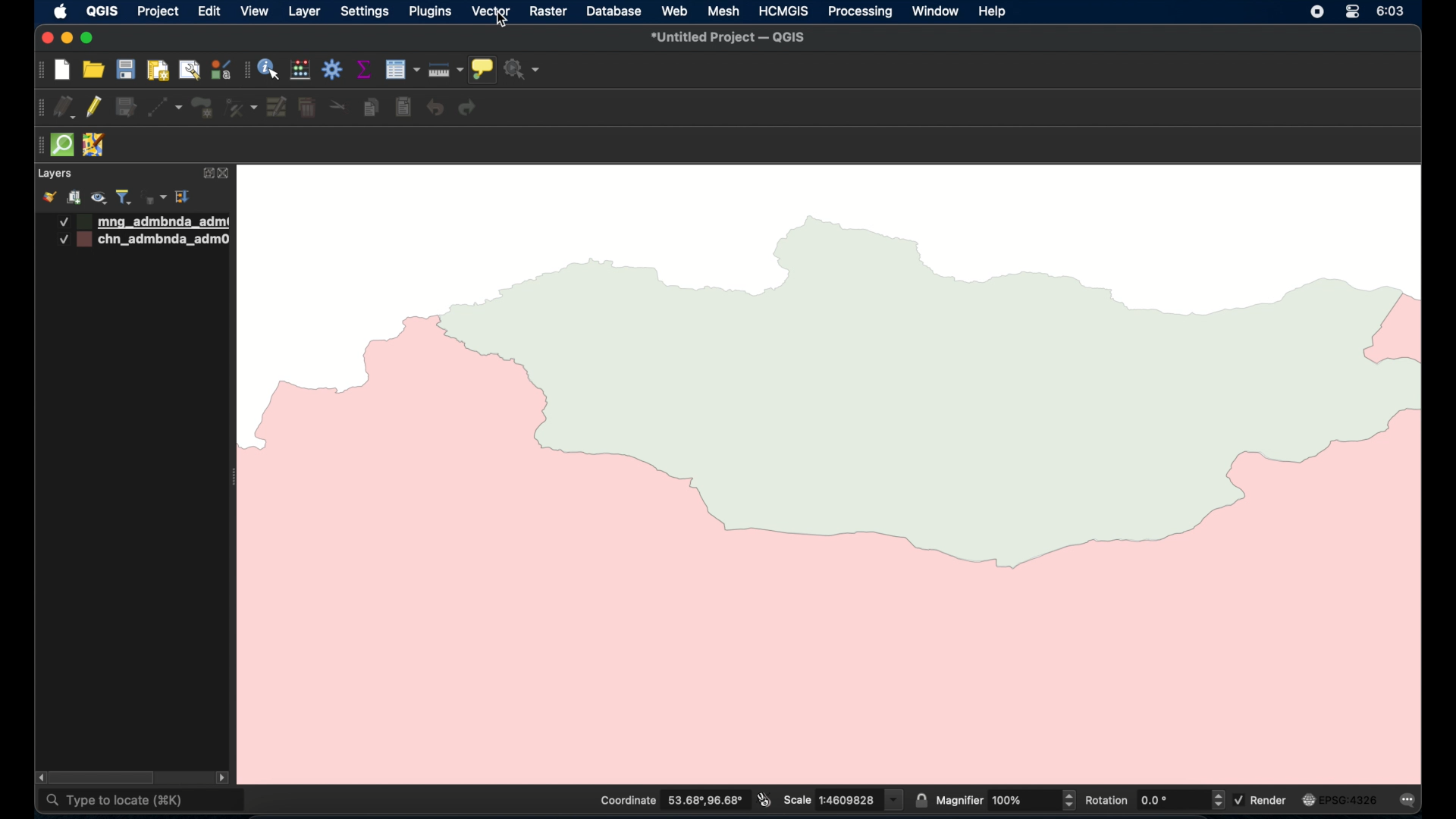 The width and height of the screenshot is (1456, 819). I want to click on layer, so click(304, 13).